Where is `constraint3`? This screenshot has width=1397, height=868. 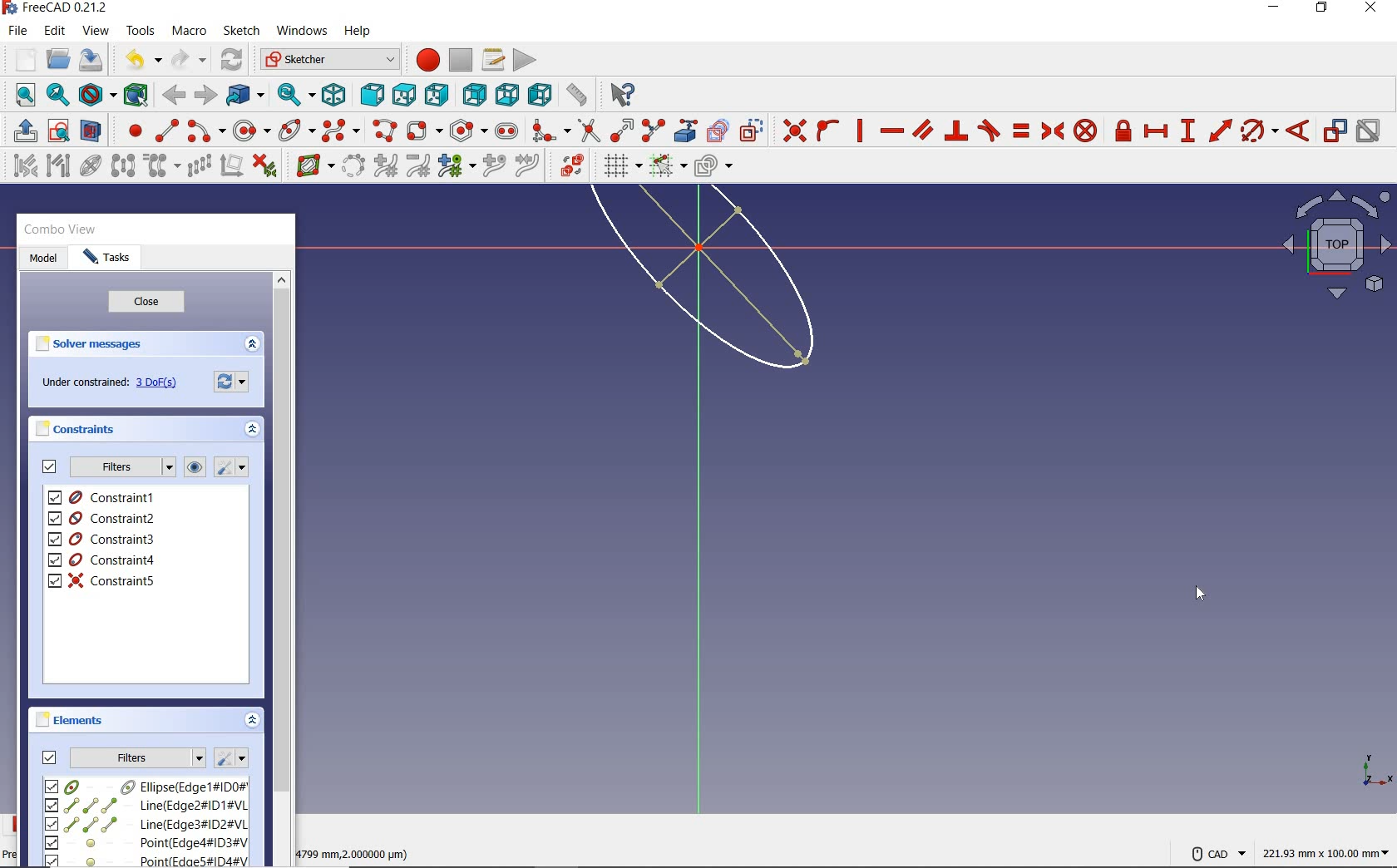 constraint3 is located at coordinates (103, 540).